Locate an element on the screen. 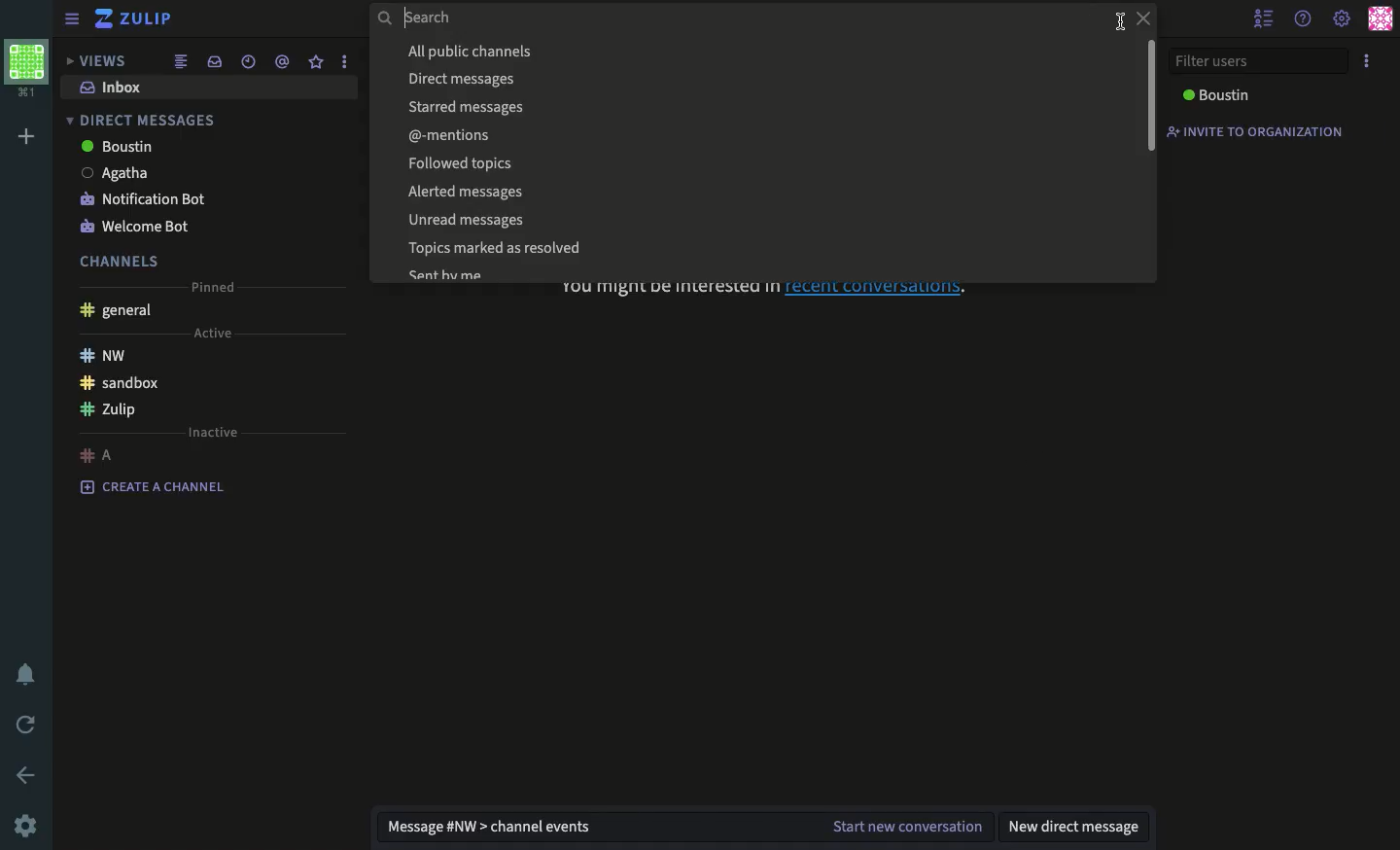 The image size is (1400, 850). workspace profile is located at coordinates (25, 67).